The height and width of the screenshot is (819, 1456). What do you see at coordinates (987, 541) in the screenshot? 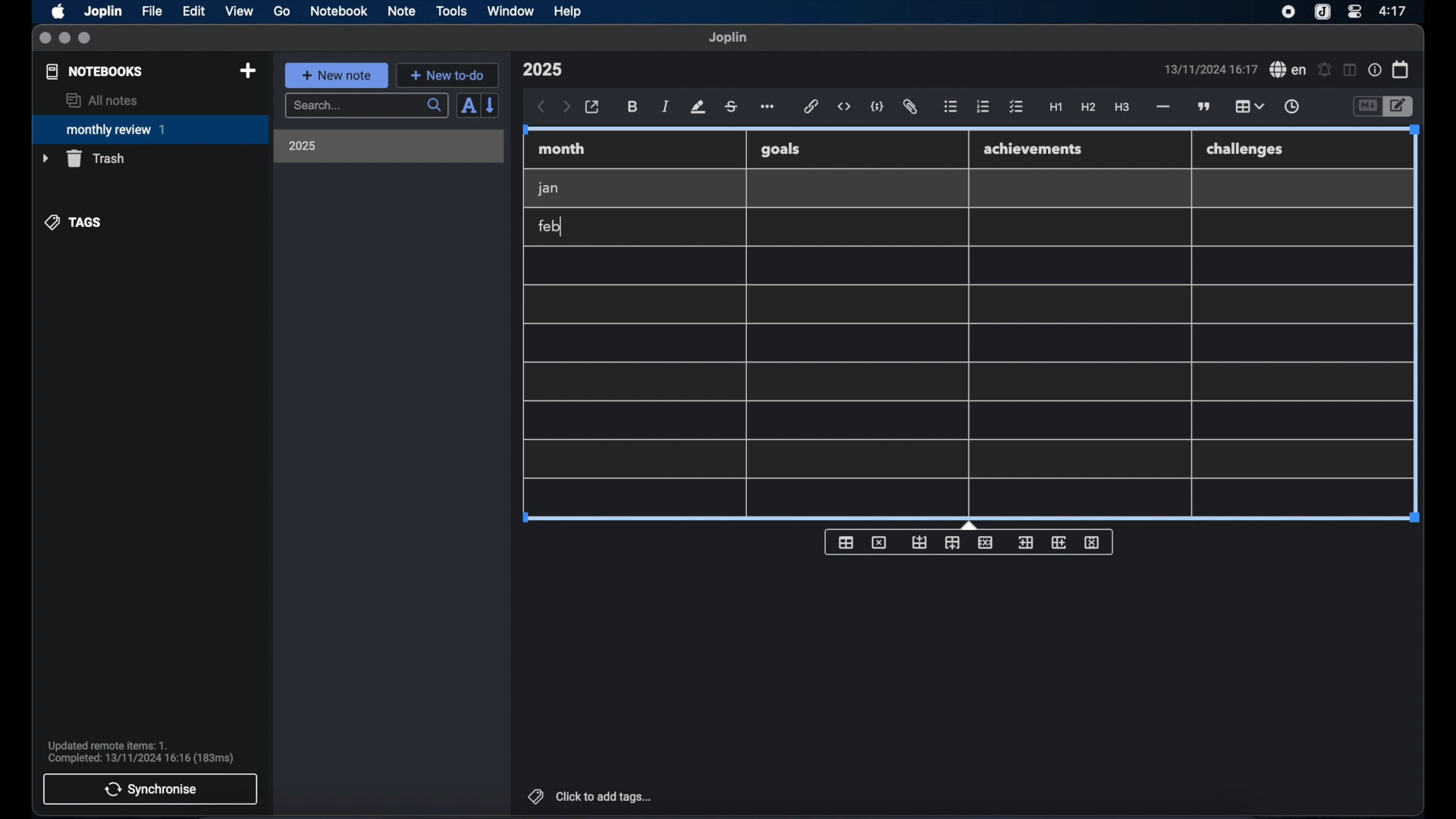
I see `delete row` at bounding box center [987, 541].